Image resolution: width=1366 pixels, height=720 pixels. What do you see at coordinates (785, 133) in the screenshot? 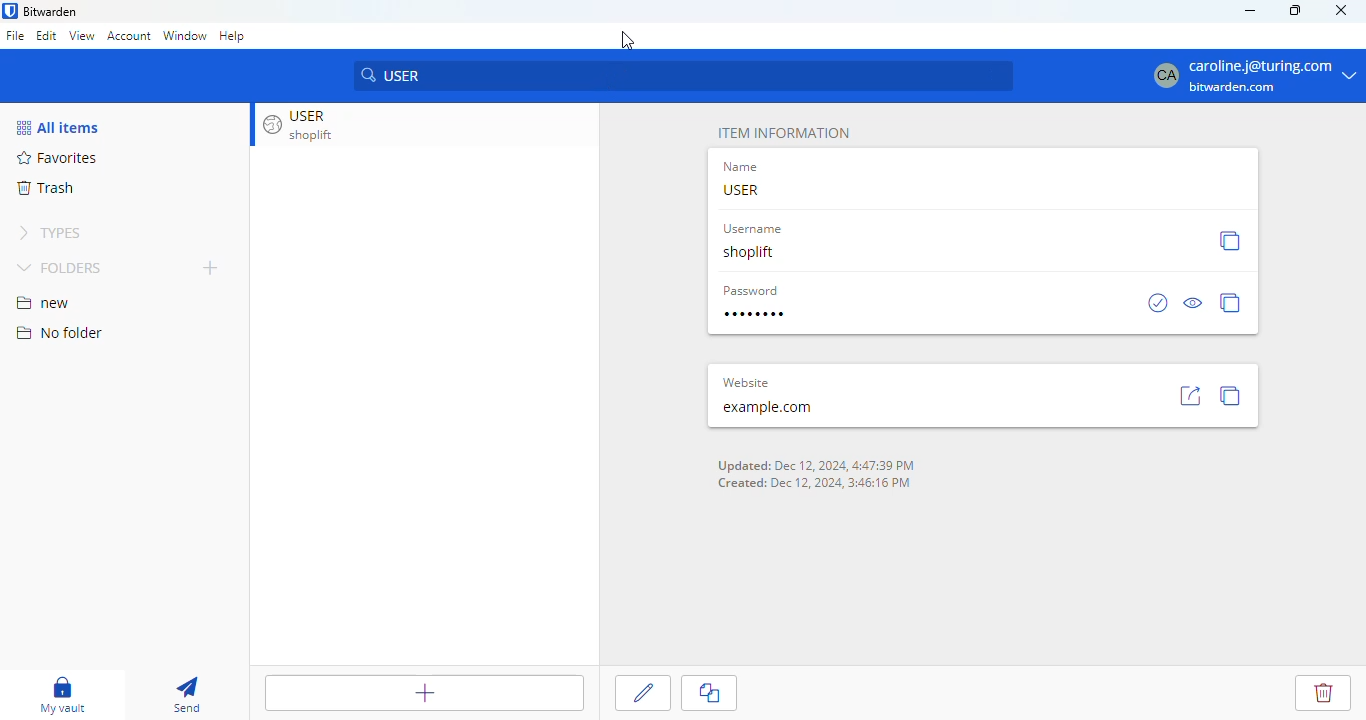
I see `ITEM INFORMATION` at bounding box center [785, 133].